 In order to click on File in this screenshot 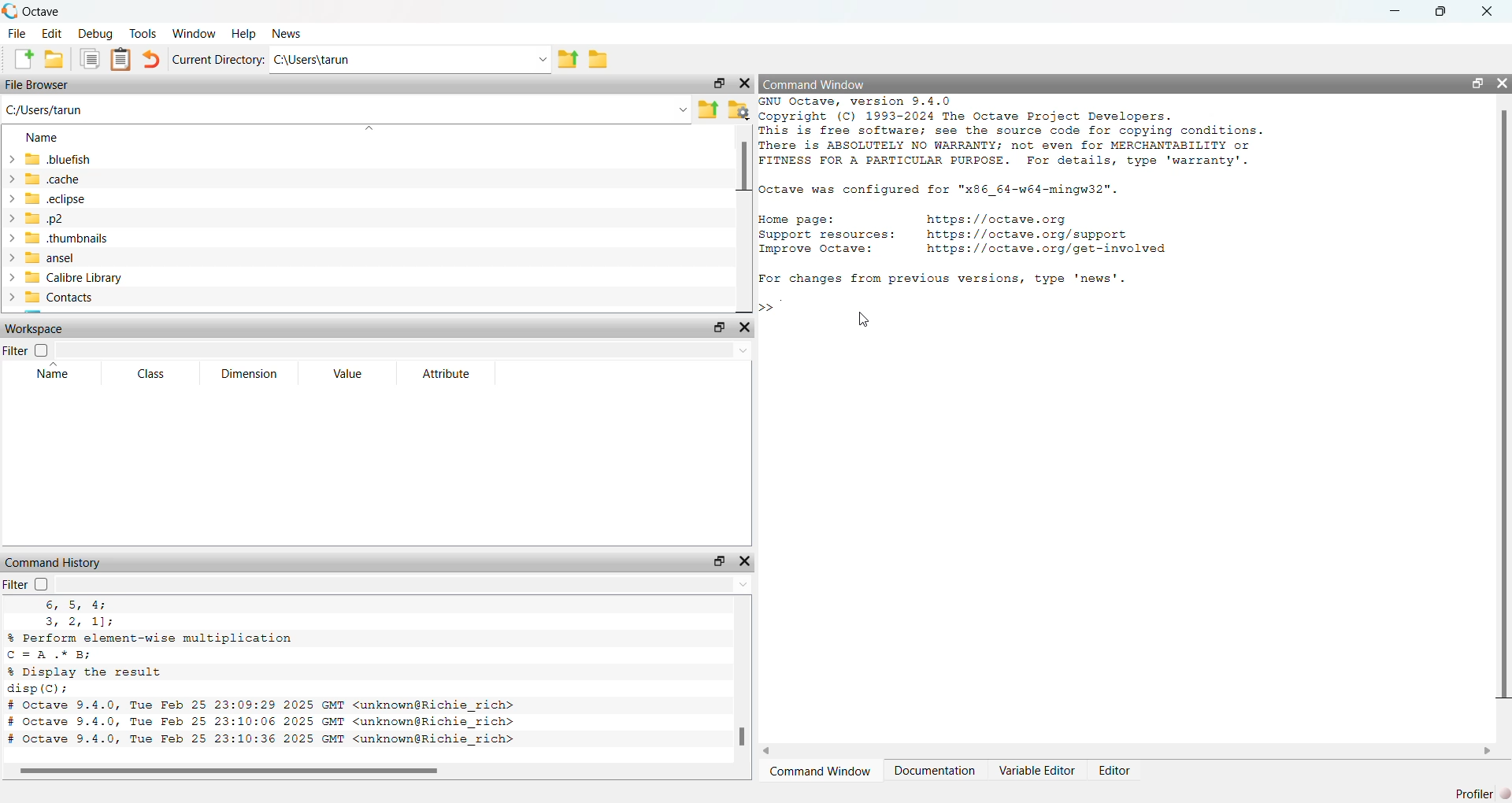, I will do `click(17, 34)`.